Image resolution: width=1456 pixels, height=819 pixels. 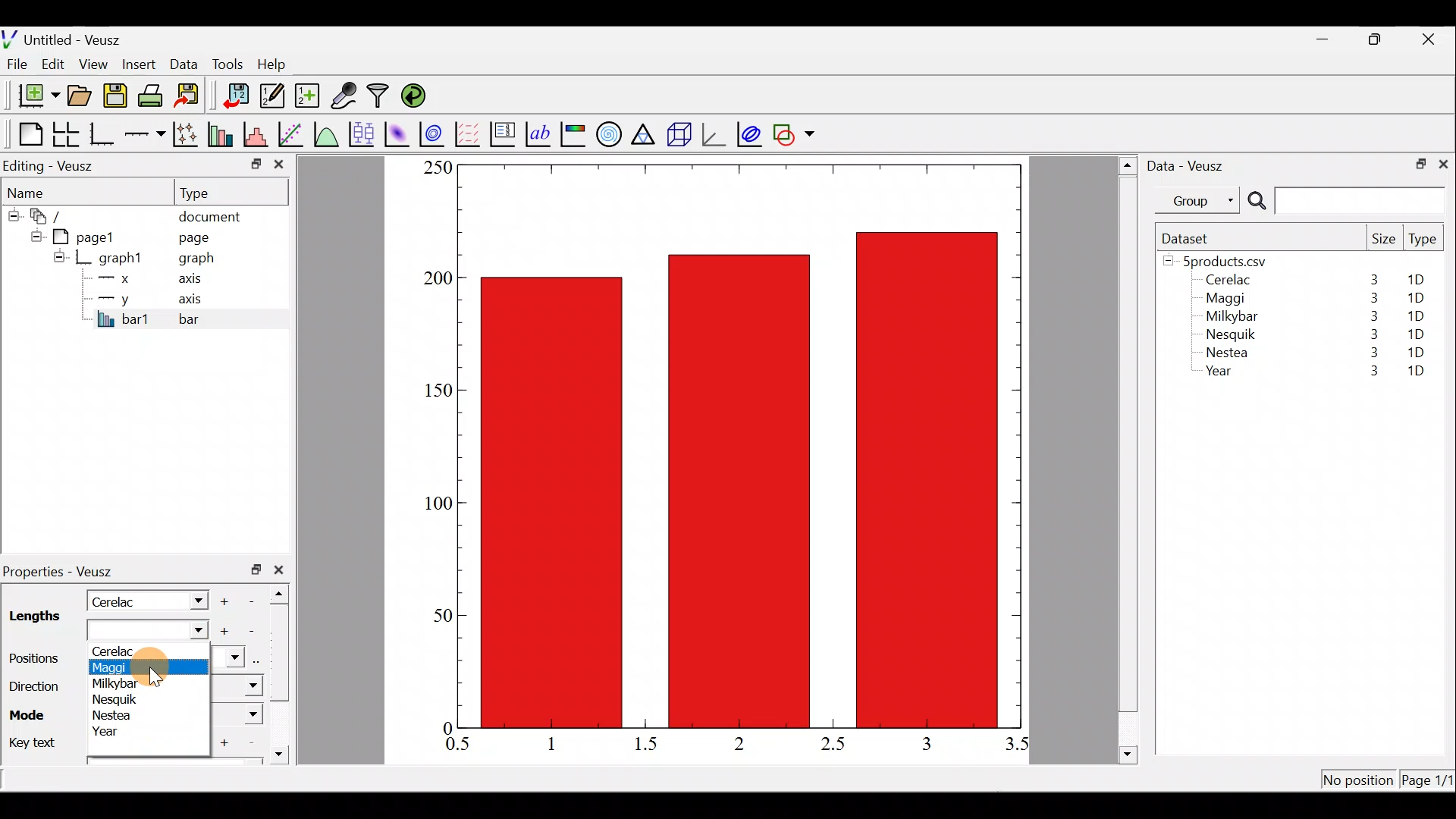 I want to click on Plot key, so click(x=504, y=133).